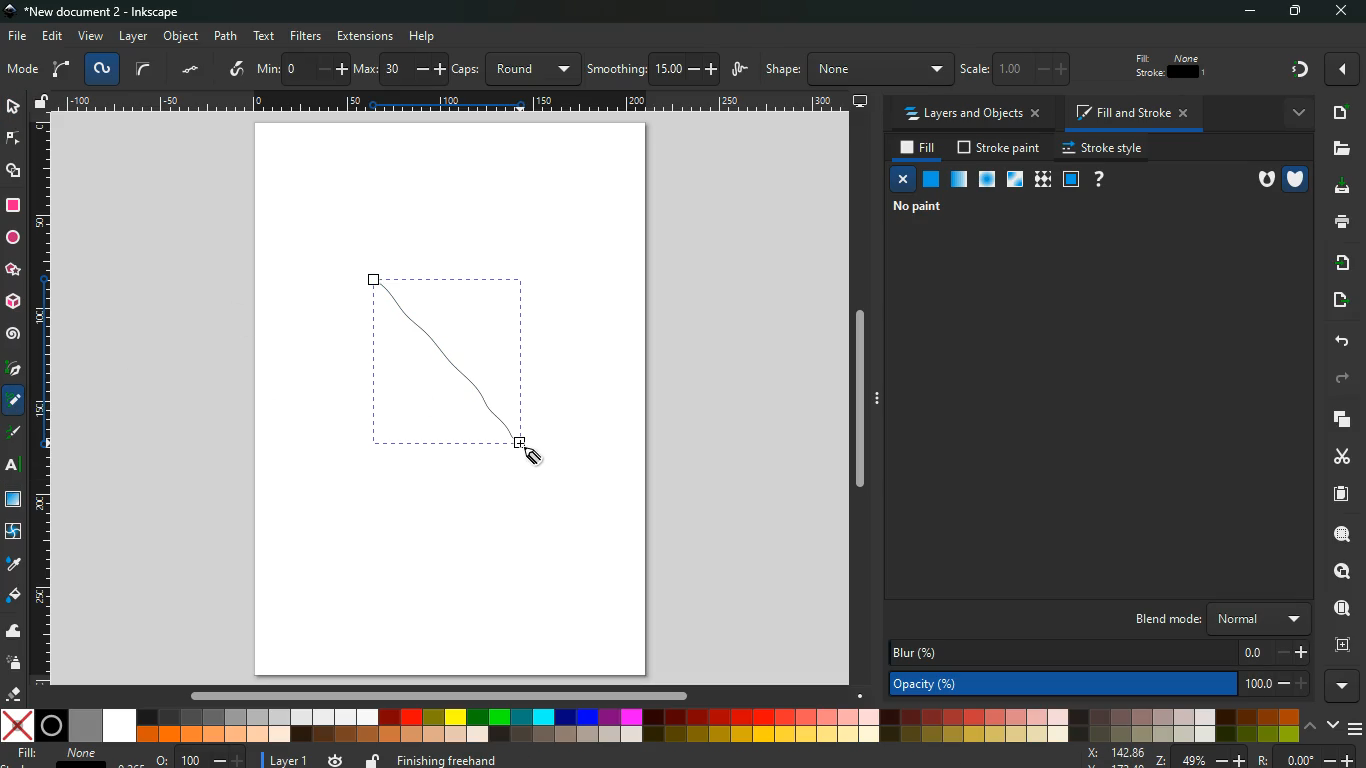 The height and width of the screenshot is (768, 1366). What do you see at coordinates (740, 71) in the screenshot?
I see `wiggle` at bounding box center [740, 71].